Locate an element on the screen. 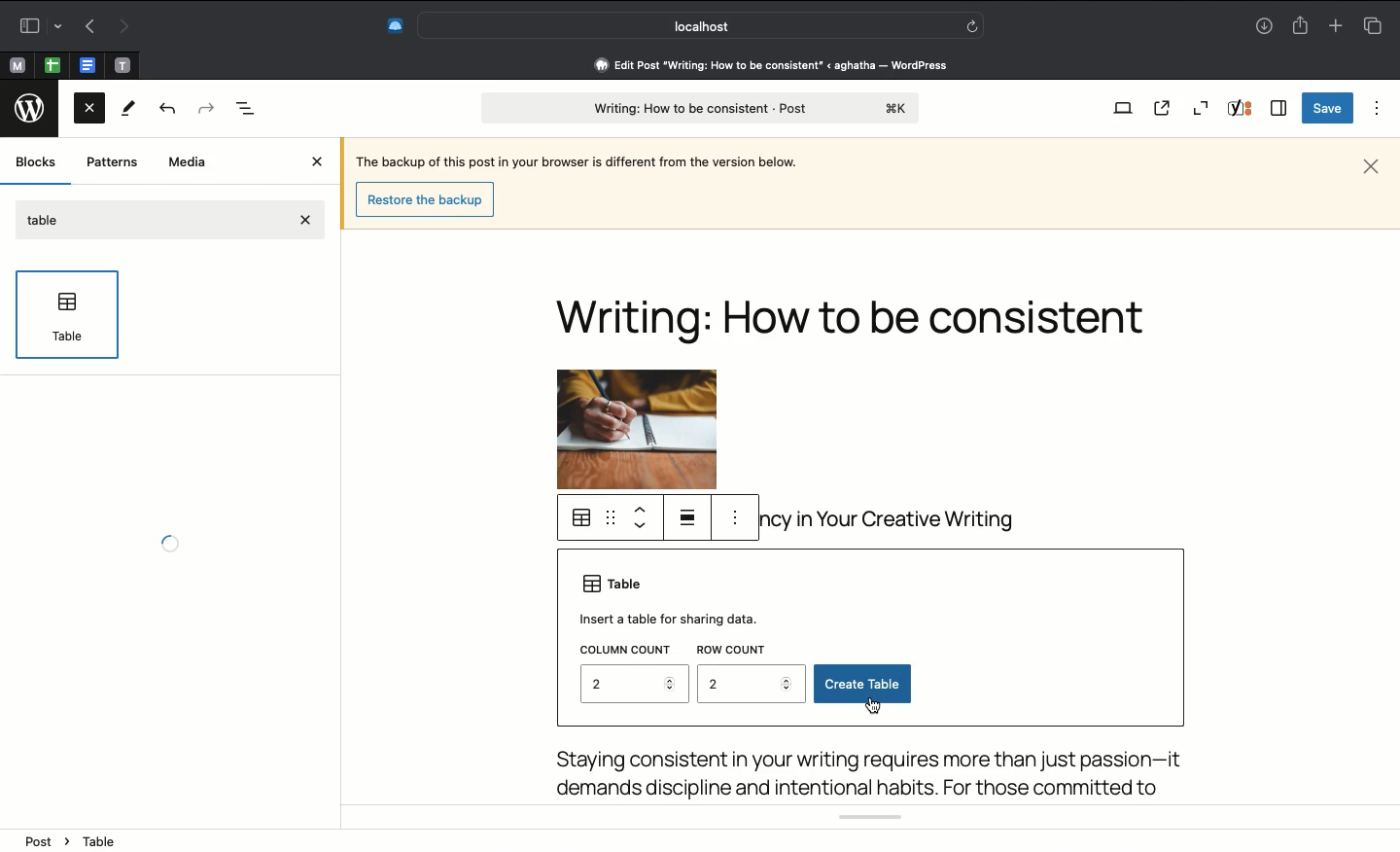 This screenshot has height=852, width=1400. post is located at coordinates (701, 108).